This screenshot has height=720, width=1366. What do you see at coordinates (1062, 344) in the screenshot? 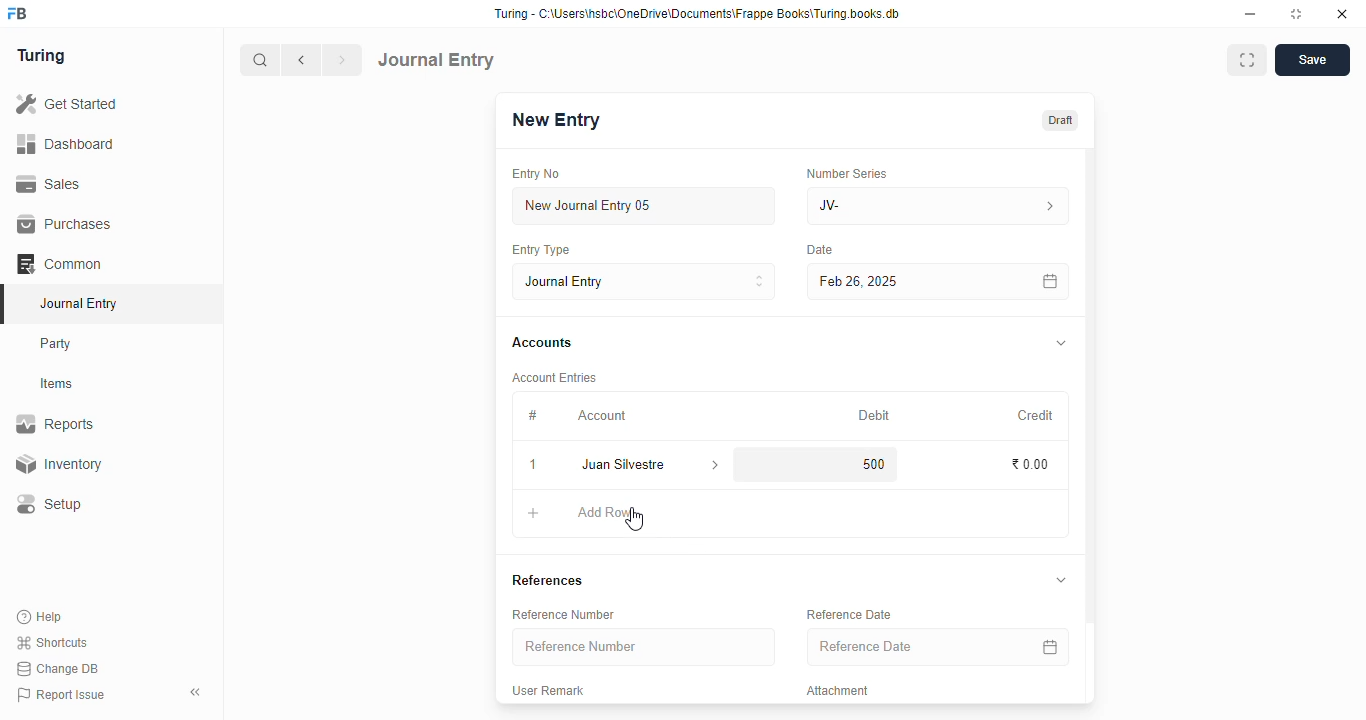
I see `toggle expand/collapse` at bounding box center [1062, 344].